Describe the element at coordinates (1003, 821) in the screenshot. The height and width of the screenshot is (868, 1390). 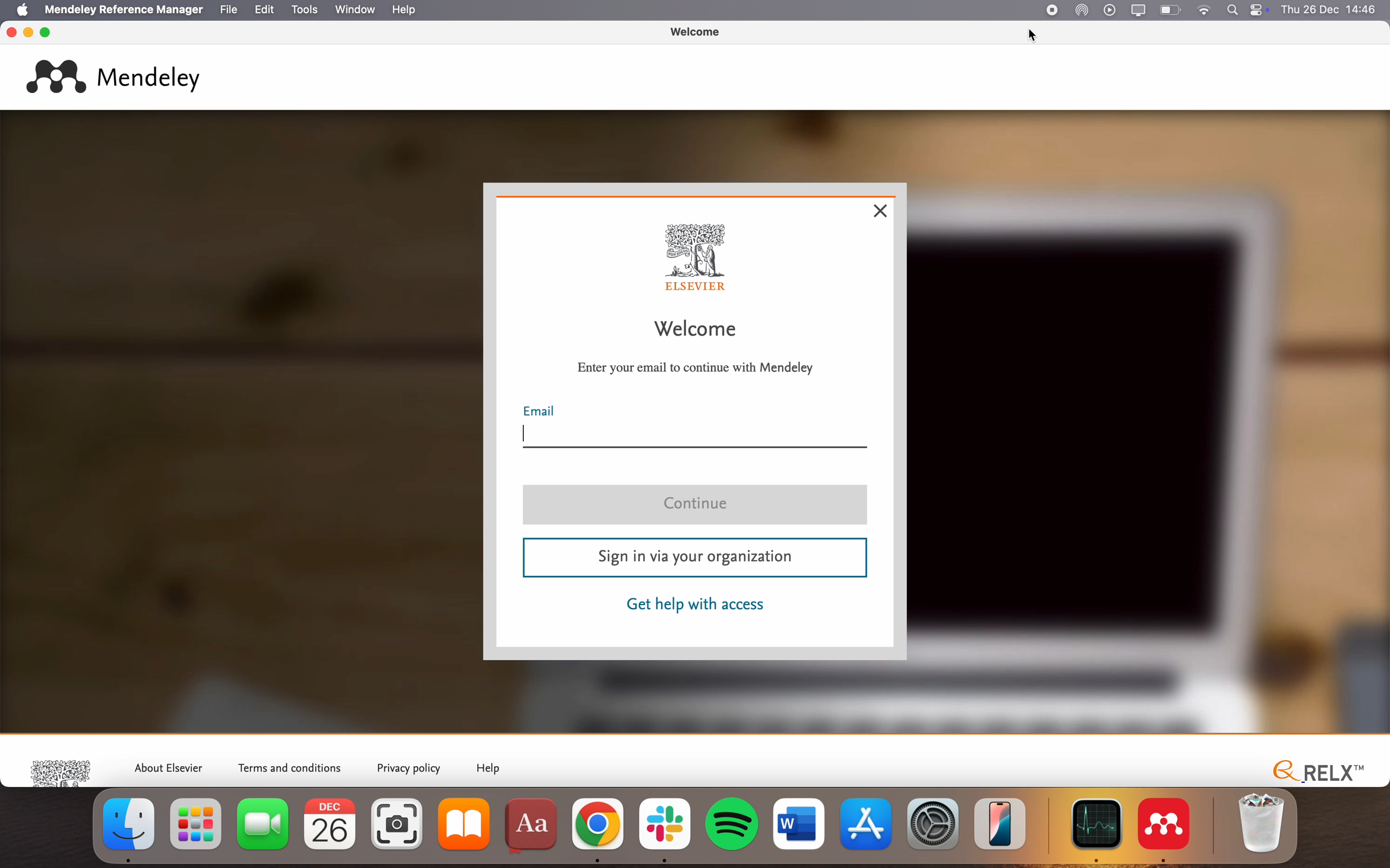
I see `iphone mirroring` at that location.